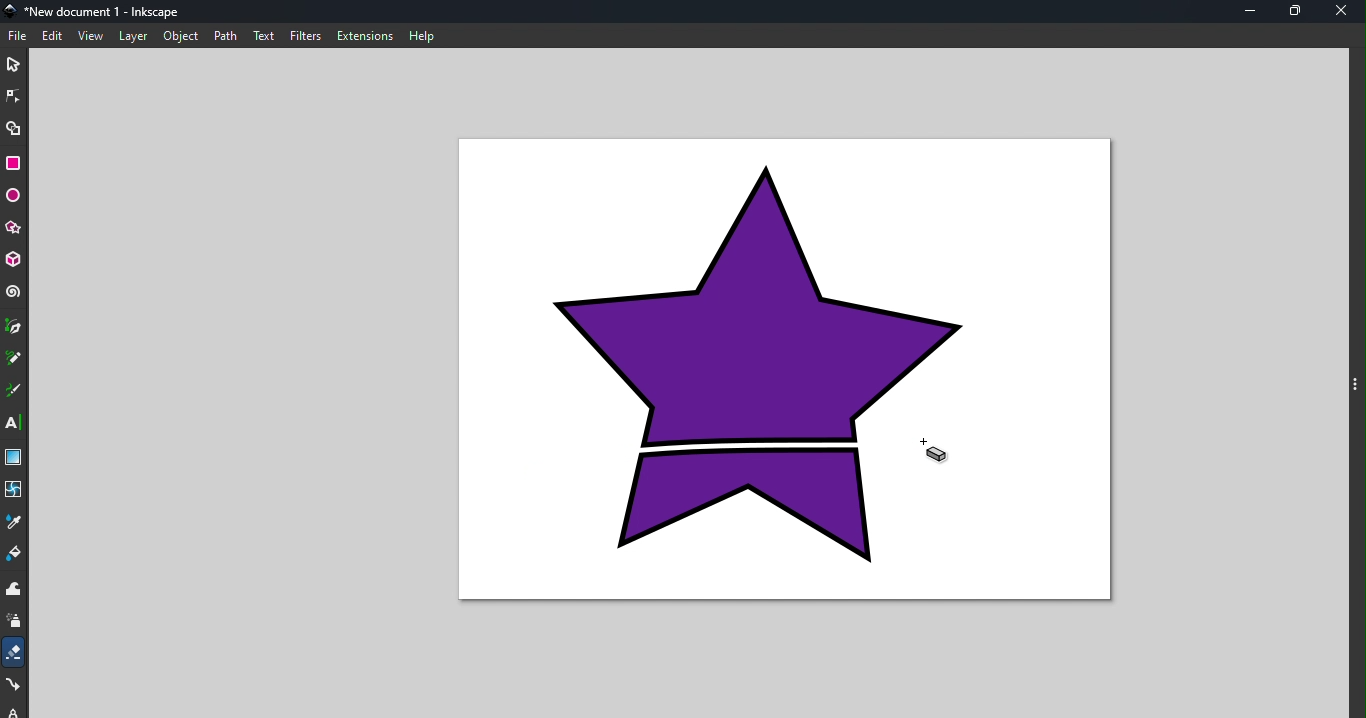 The image size is (1366, 718). Describe the element at coordinates (133, 36) in the screenshot. I see `layer` at that location.